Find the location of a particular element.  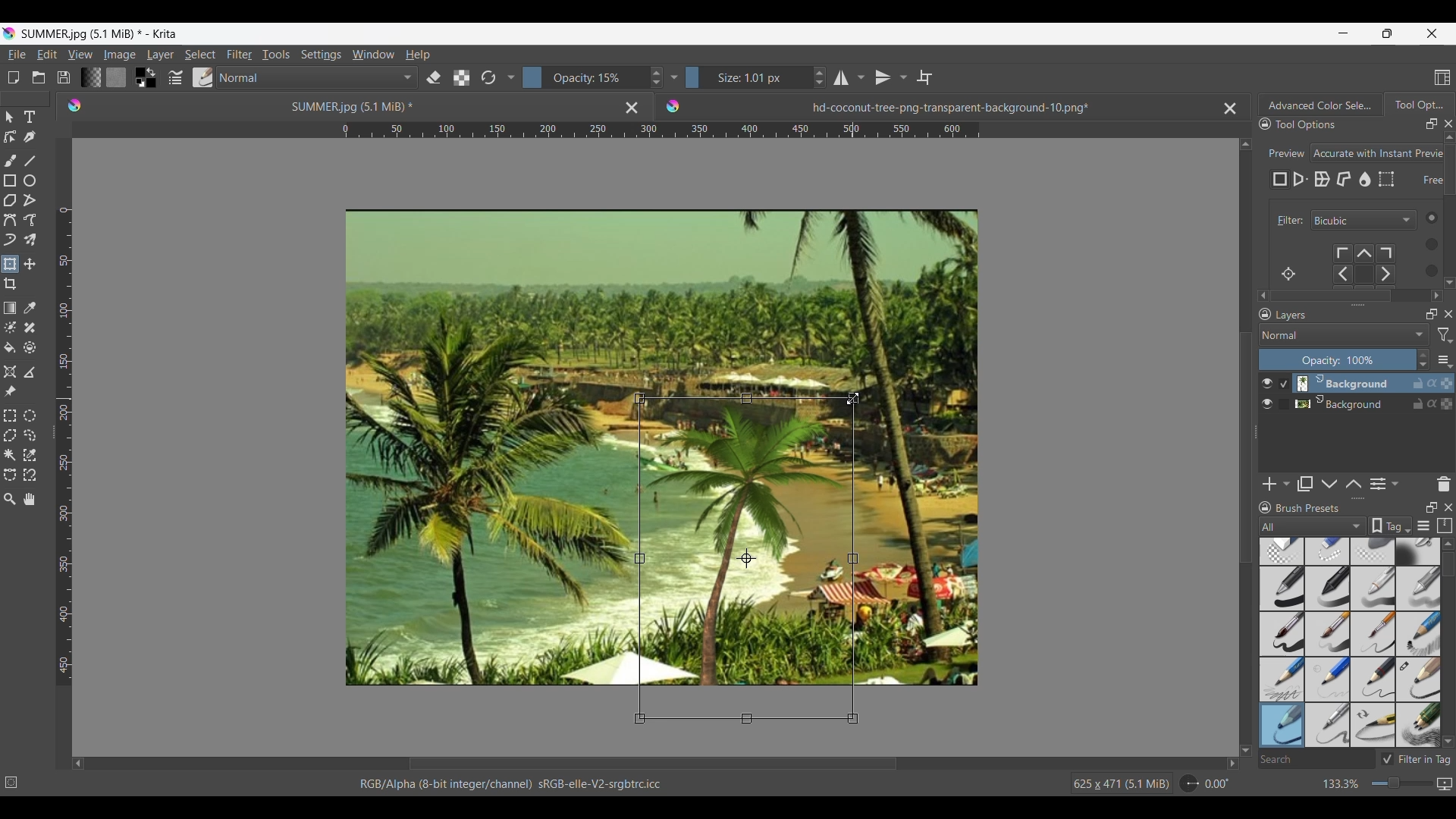

Polygonal selection tool is located at coordinates (10, 435).